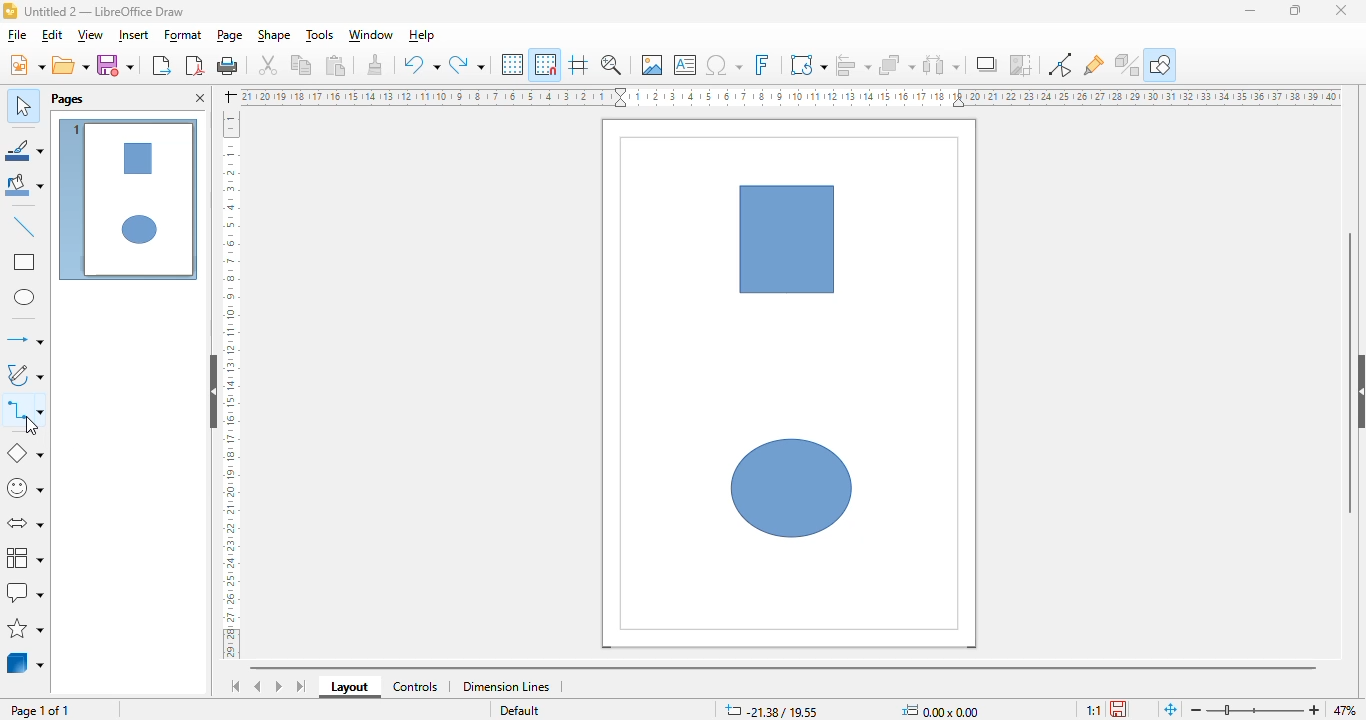 Image resolution: width=1366 pixels, height=720 pixels. I want to click on file, so click(18, 36).